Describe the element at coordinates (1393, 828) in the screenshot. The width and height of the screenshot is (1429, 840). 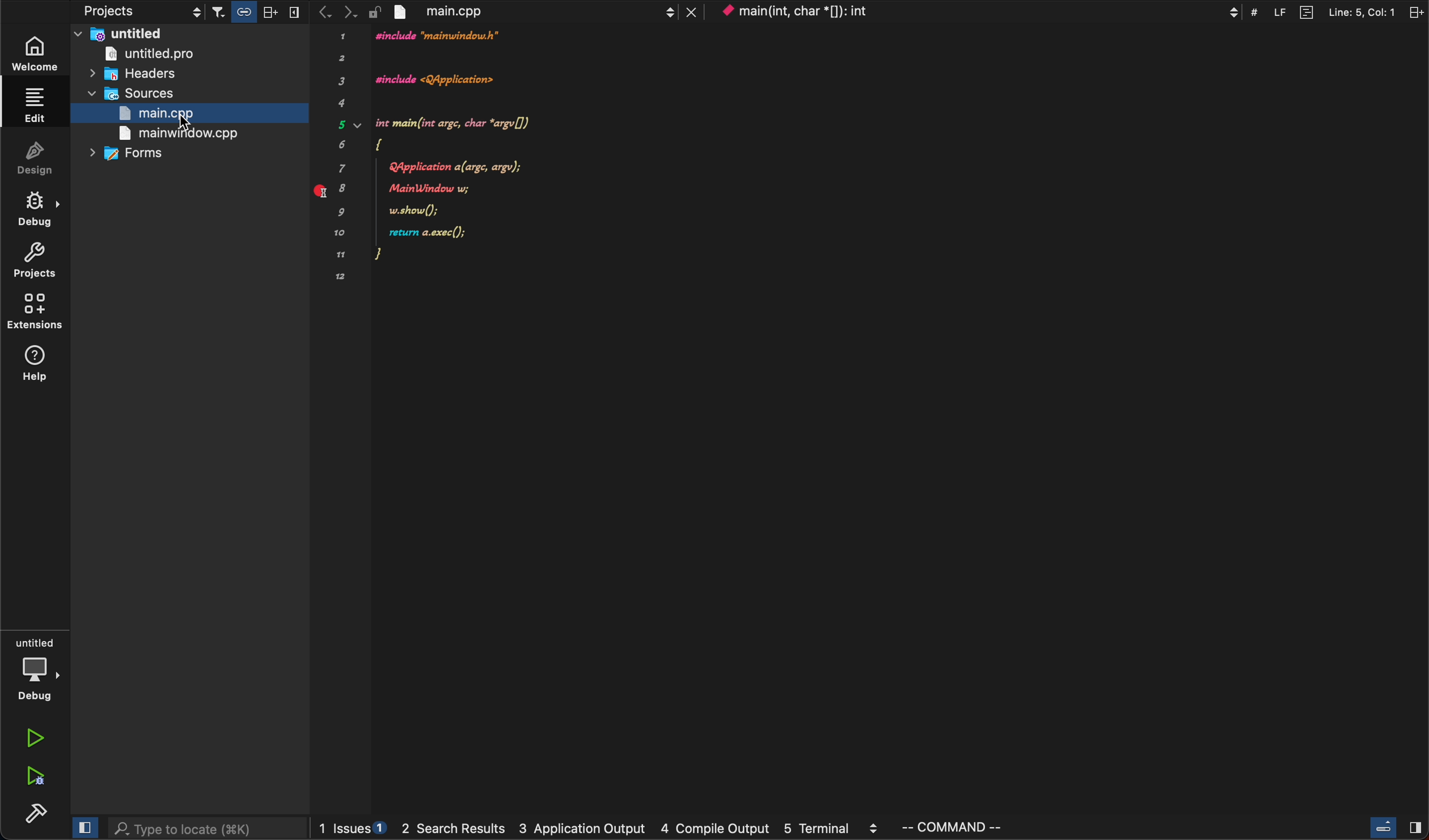
I see `close slide bar` at that location.